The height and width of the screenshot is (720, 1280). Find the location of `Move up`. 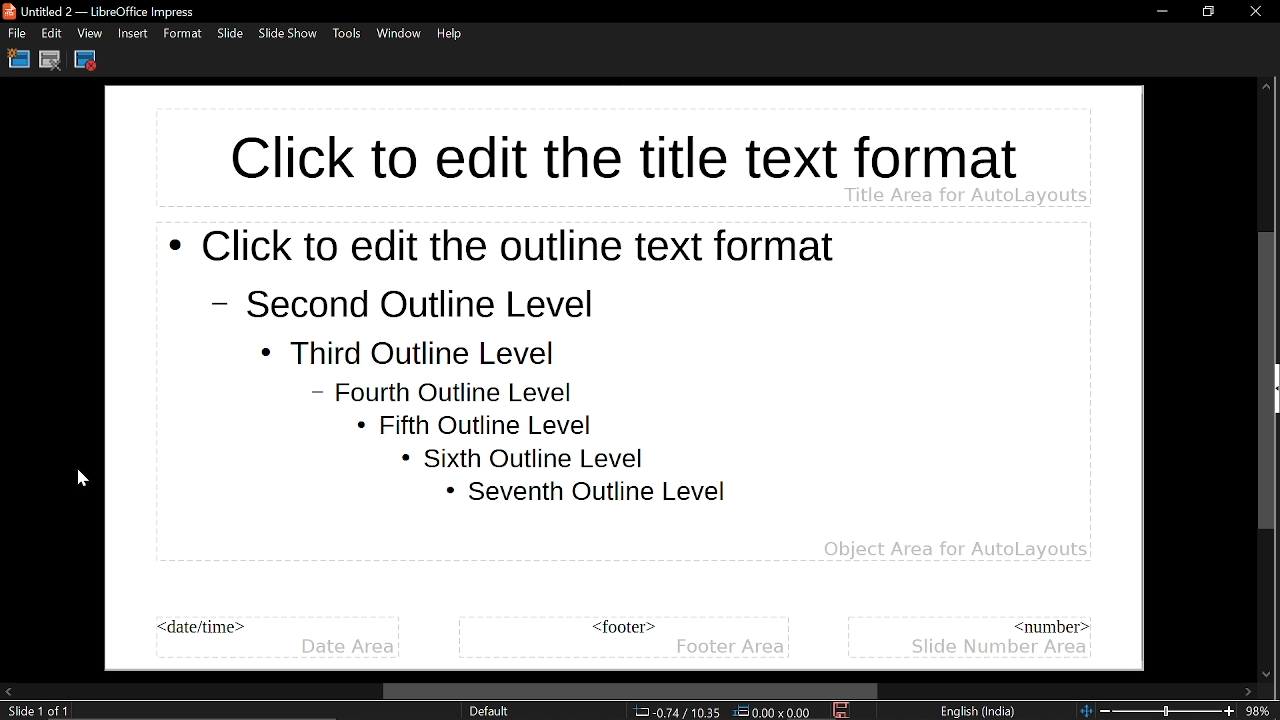

Move up is located at coordinates (1267, 53).